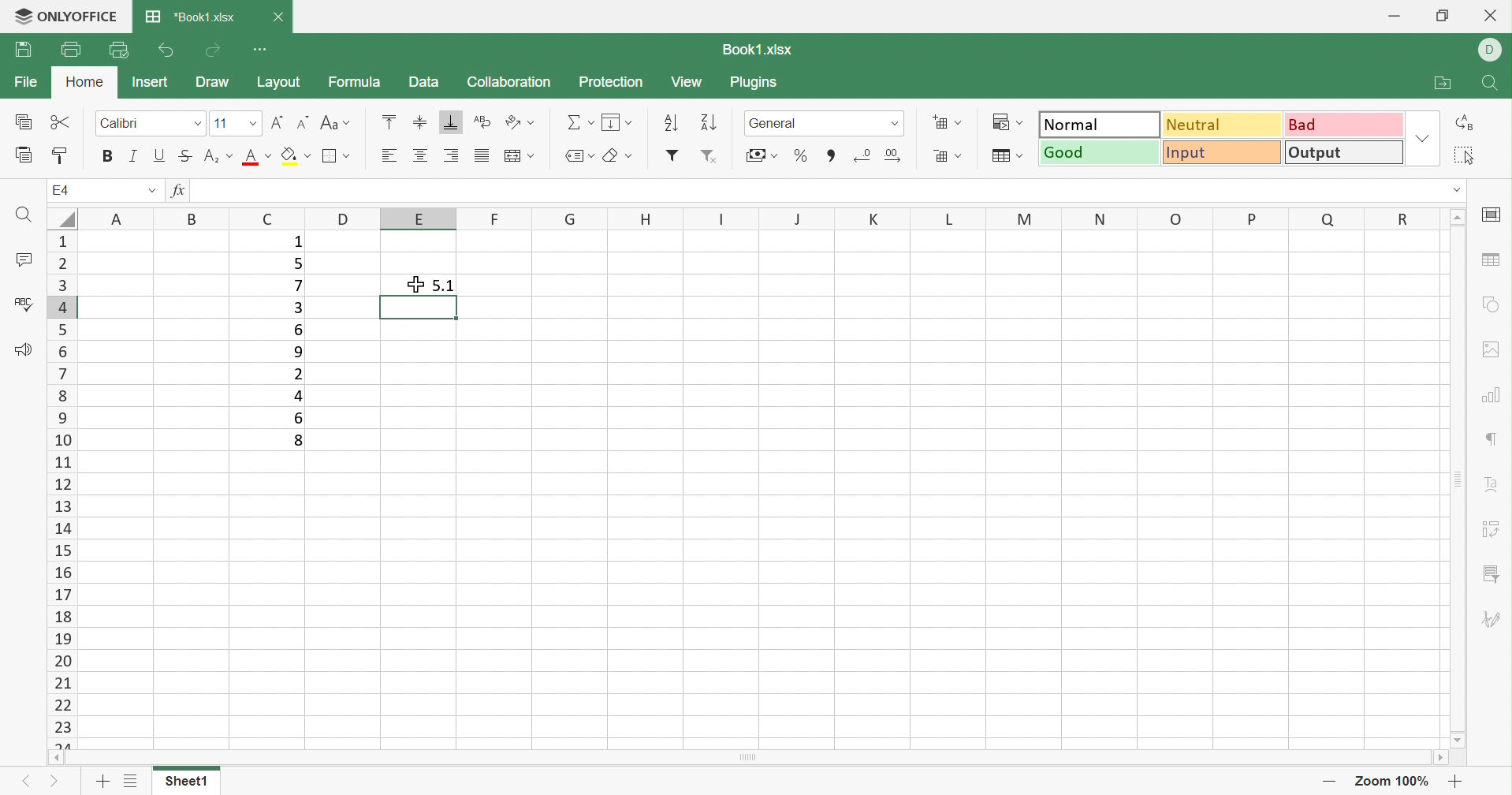 Image resolution: width=1512 pixels, height=795 pixels. I want to click on Drop Down, so click(250, 123).